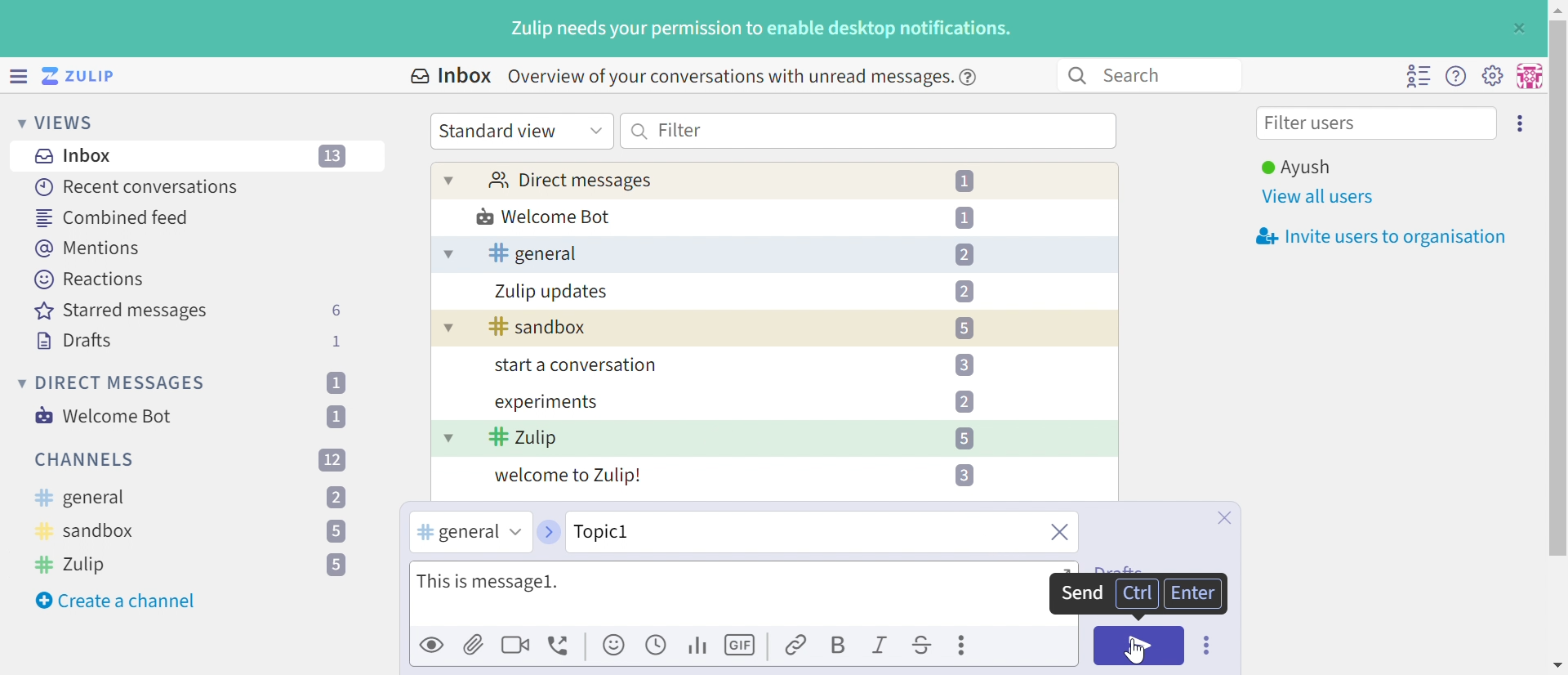  I want to click on Inbox, so click(449, 76).